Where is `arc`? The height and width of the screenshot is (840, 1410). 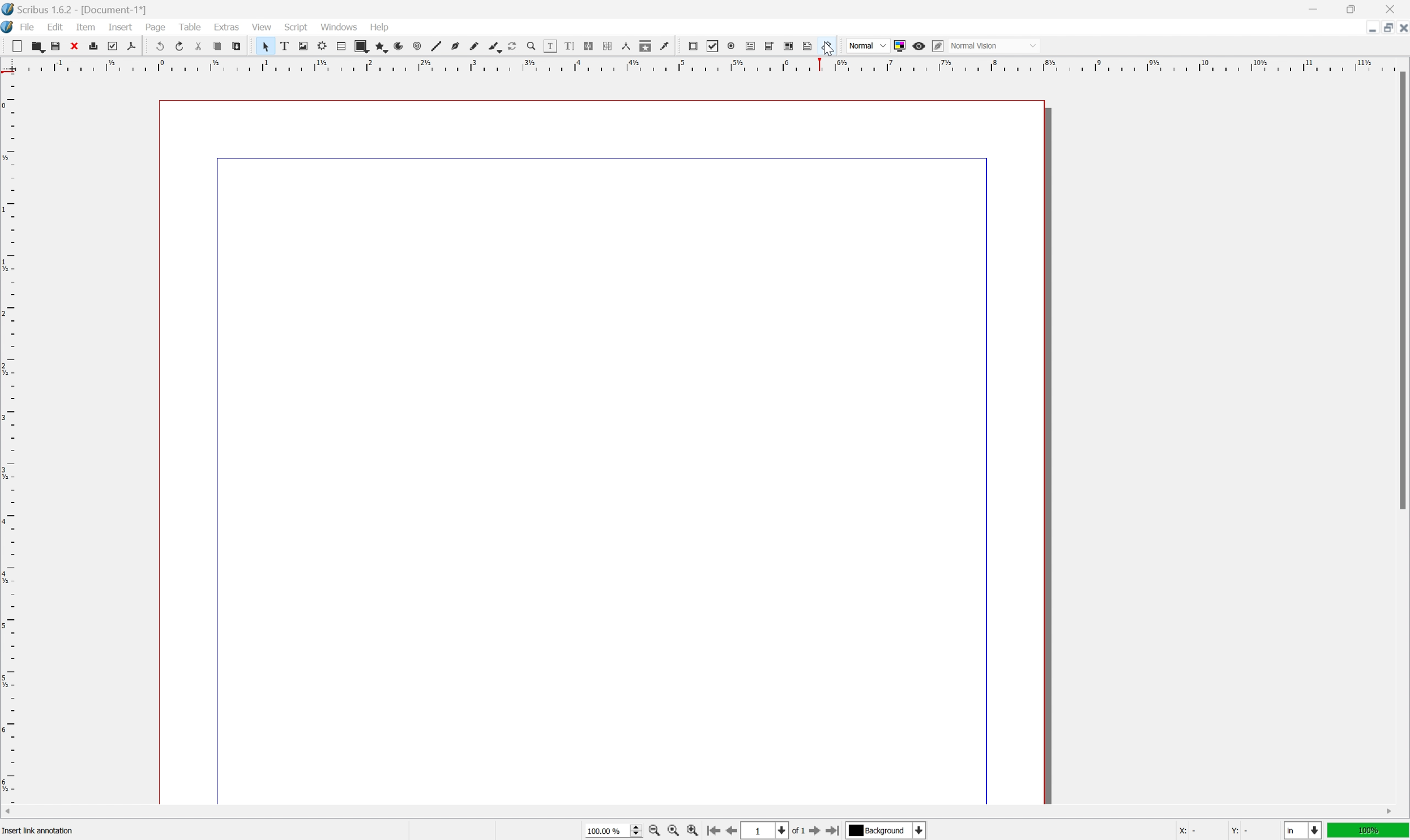 arc is located at coordinates (399, 46).